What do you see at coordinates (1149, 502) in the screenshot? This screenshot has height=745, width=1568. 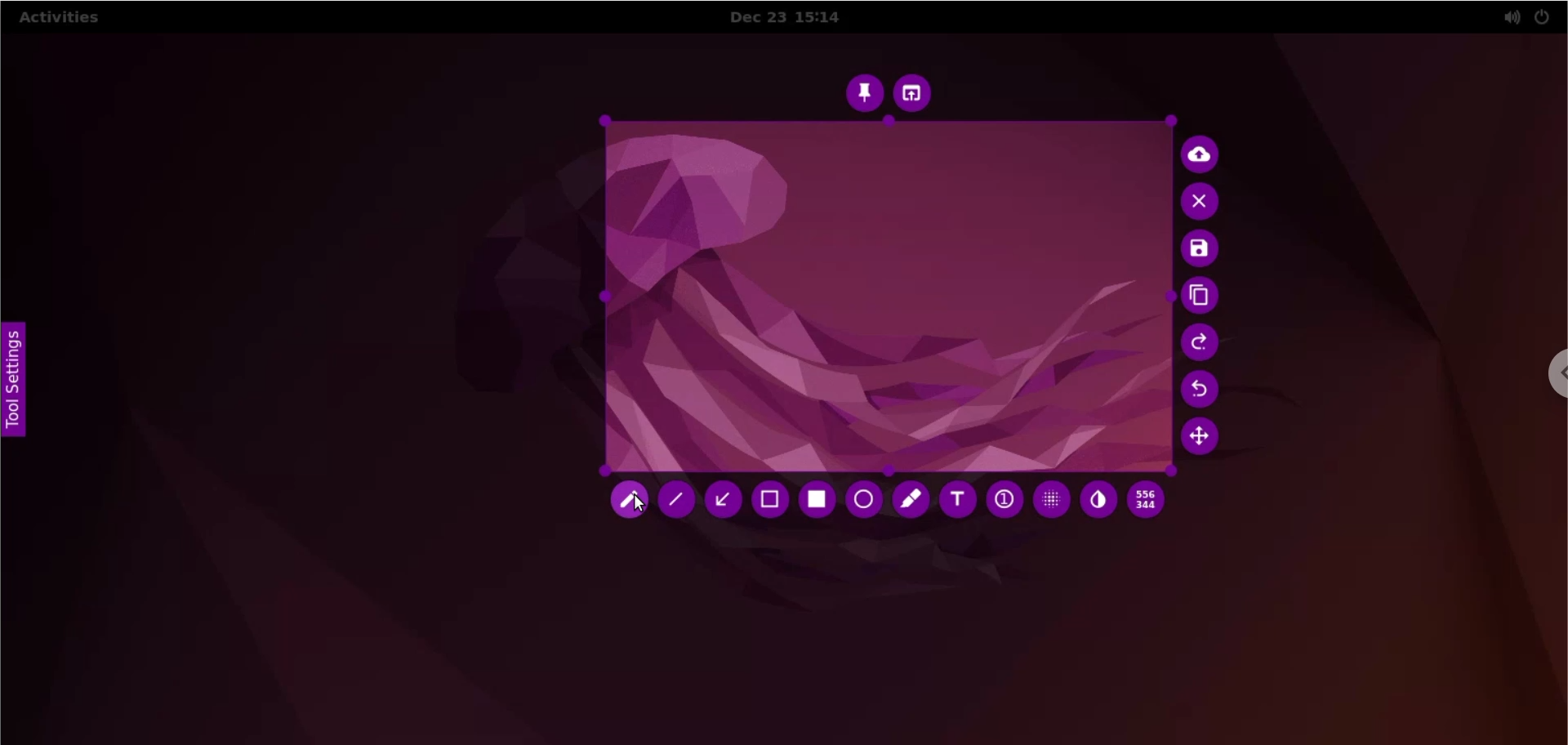 I see `x and y coordinates` at bounding box center [1149, 502].